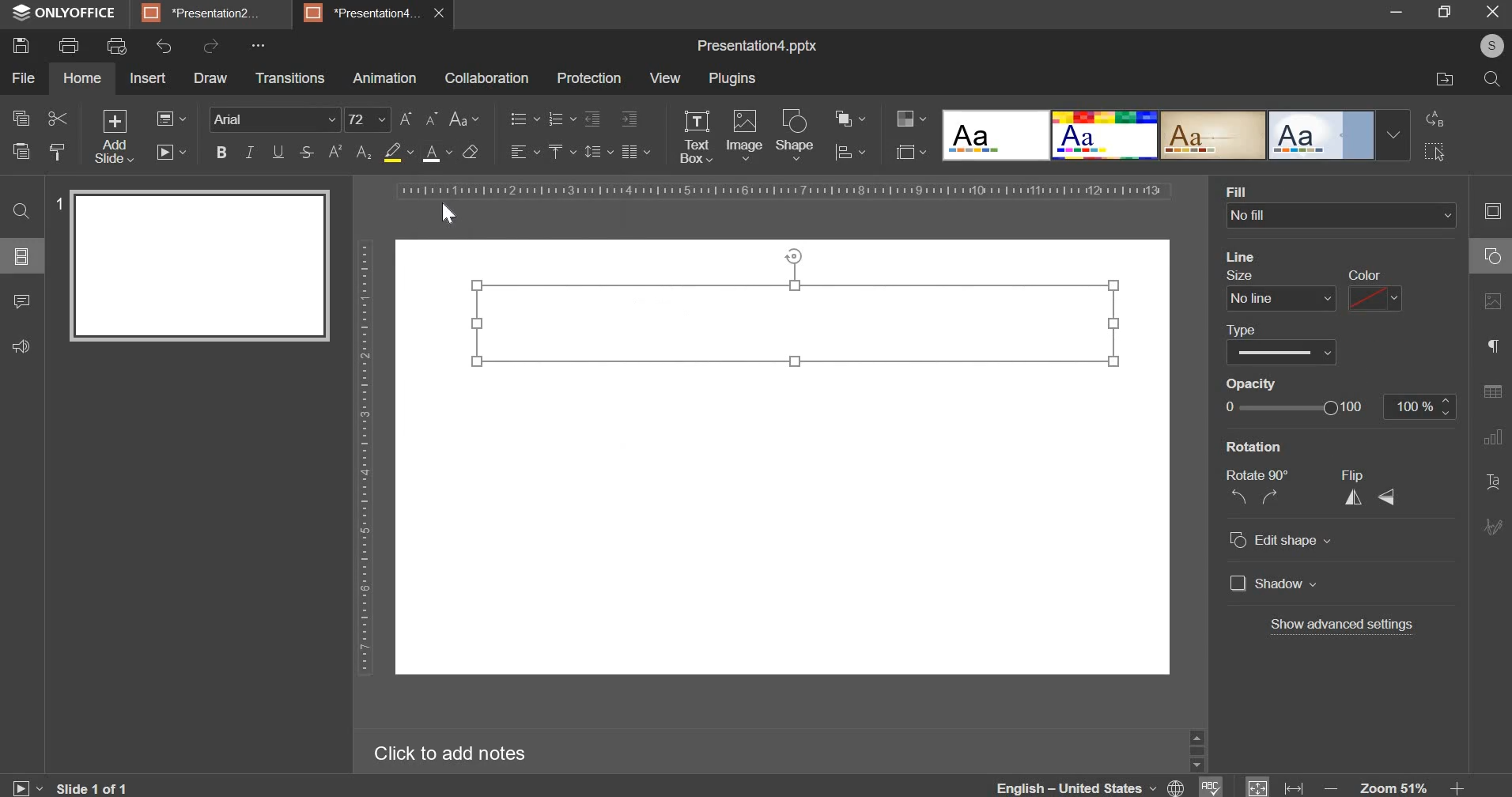  I want to click on print, so click(69, 43).